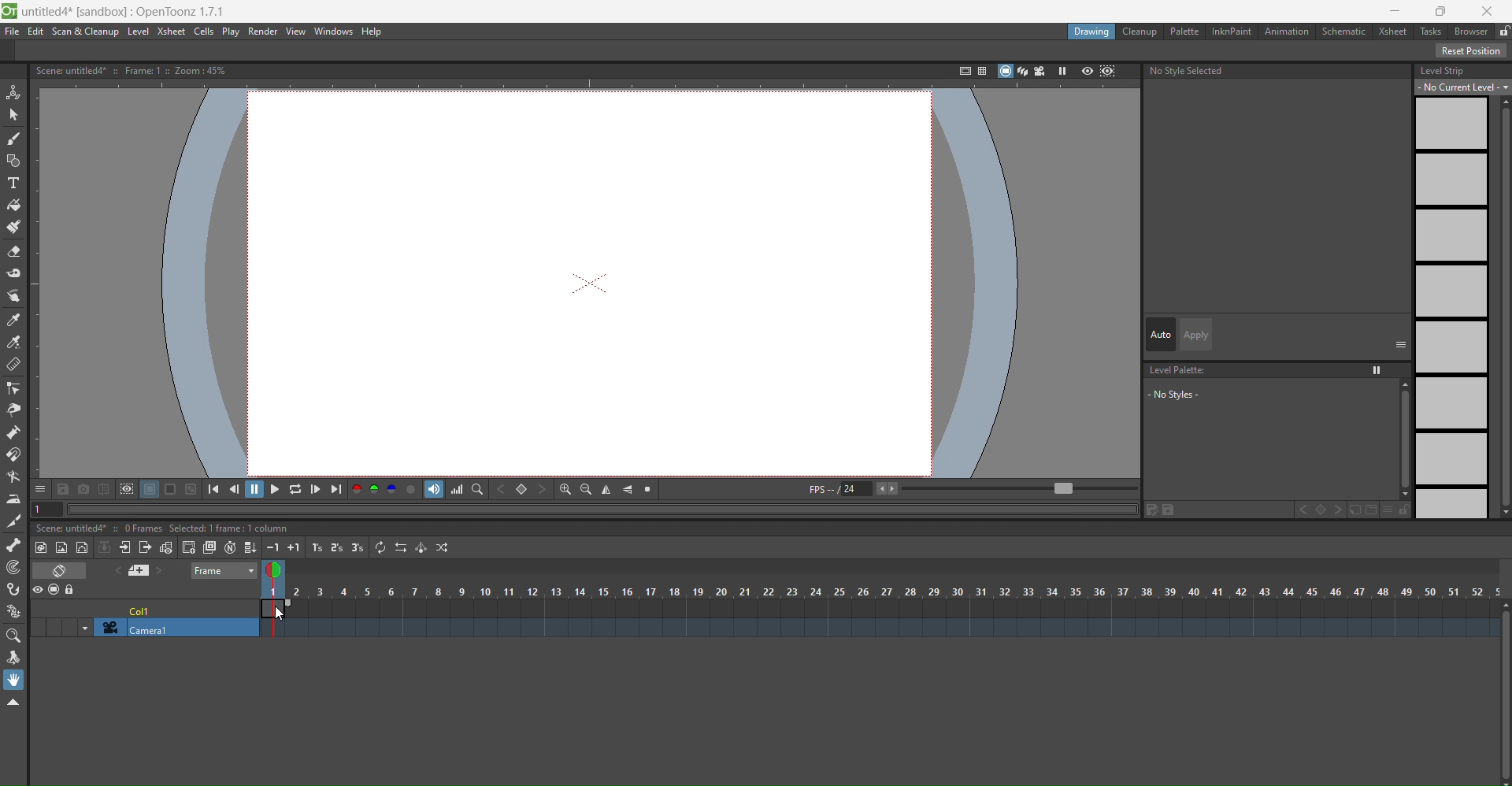 This screenshot has width=1512, height=786. Describe the element at coordinates (1503, 693) in the screenshot. I see `Scroll bar` at that location.